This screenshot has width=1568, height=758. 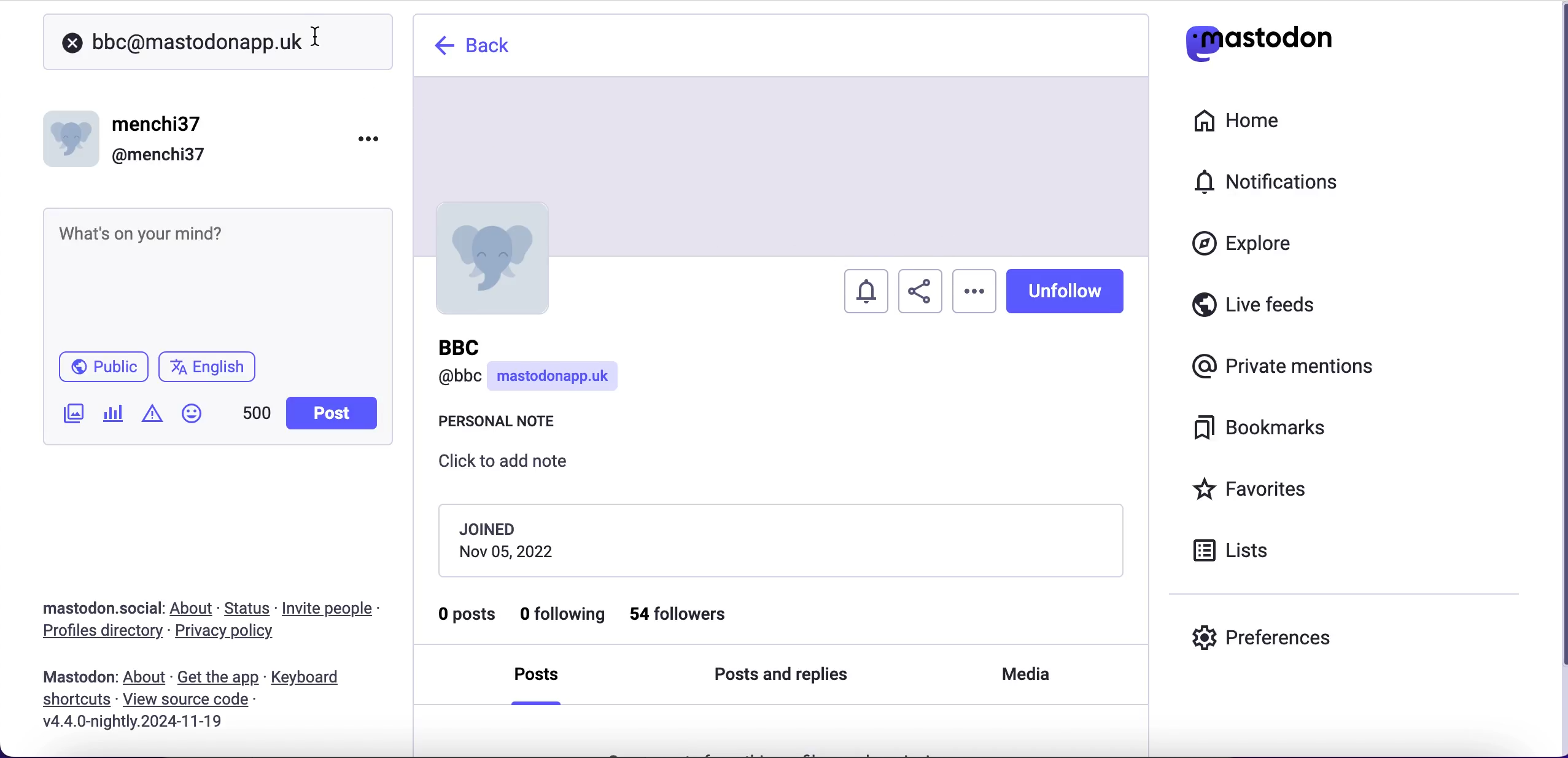 I want to click on user name, so click(x=128, y=138).